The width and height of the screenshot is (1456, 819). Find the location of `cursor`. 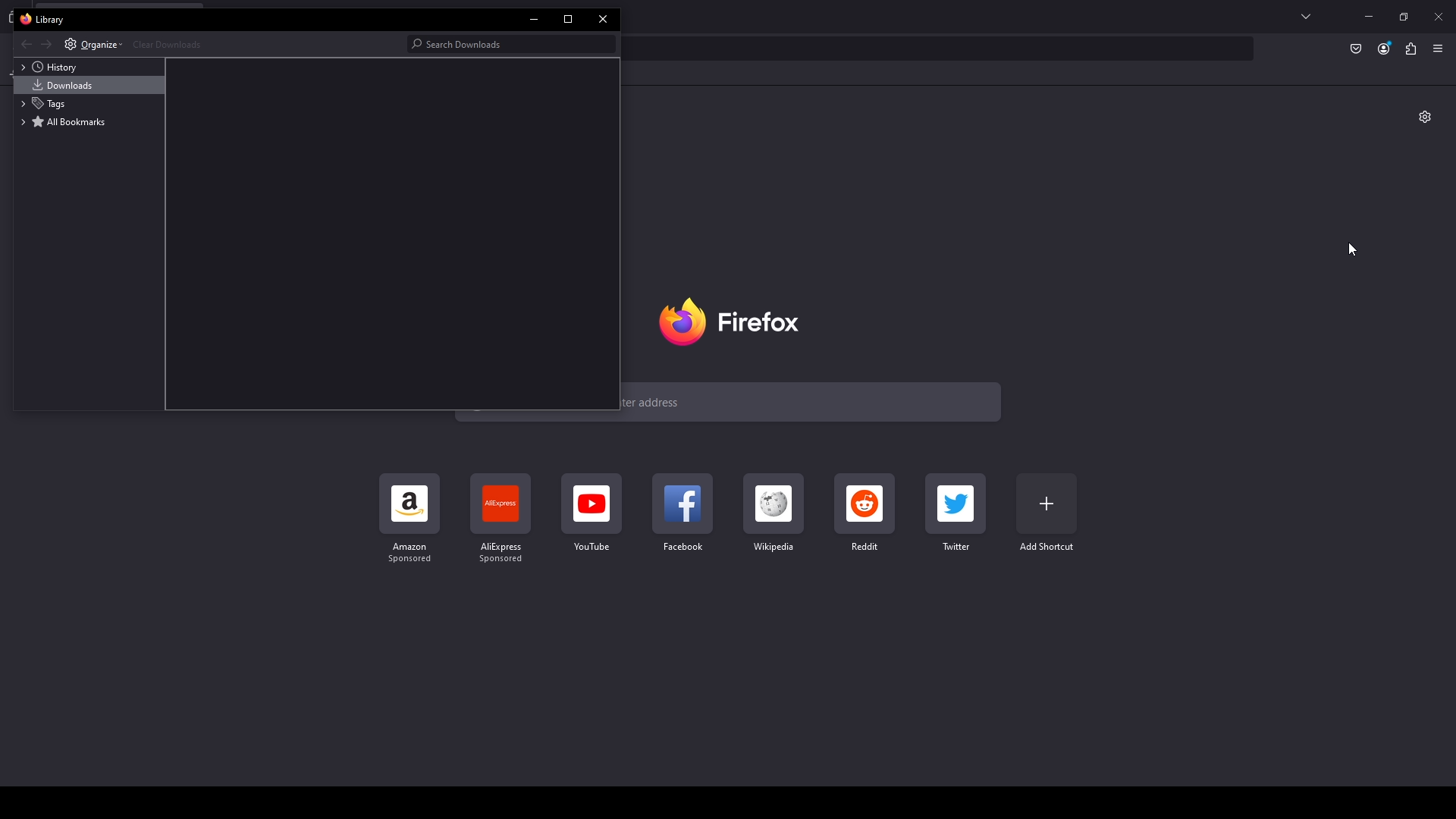

cursor is located at coordinates (1353, 249).